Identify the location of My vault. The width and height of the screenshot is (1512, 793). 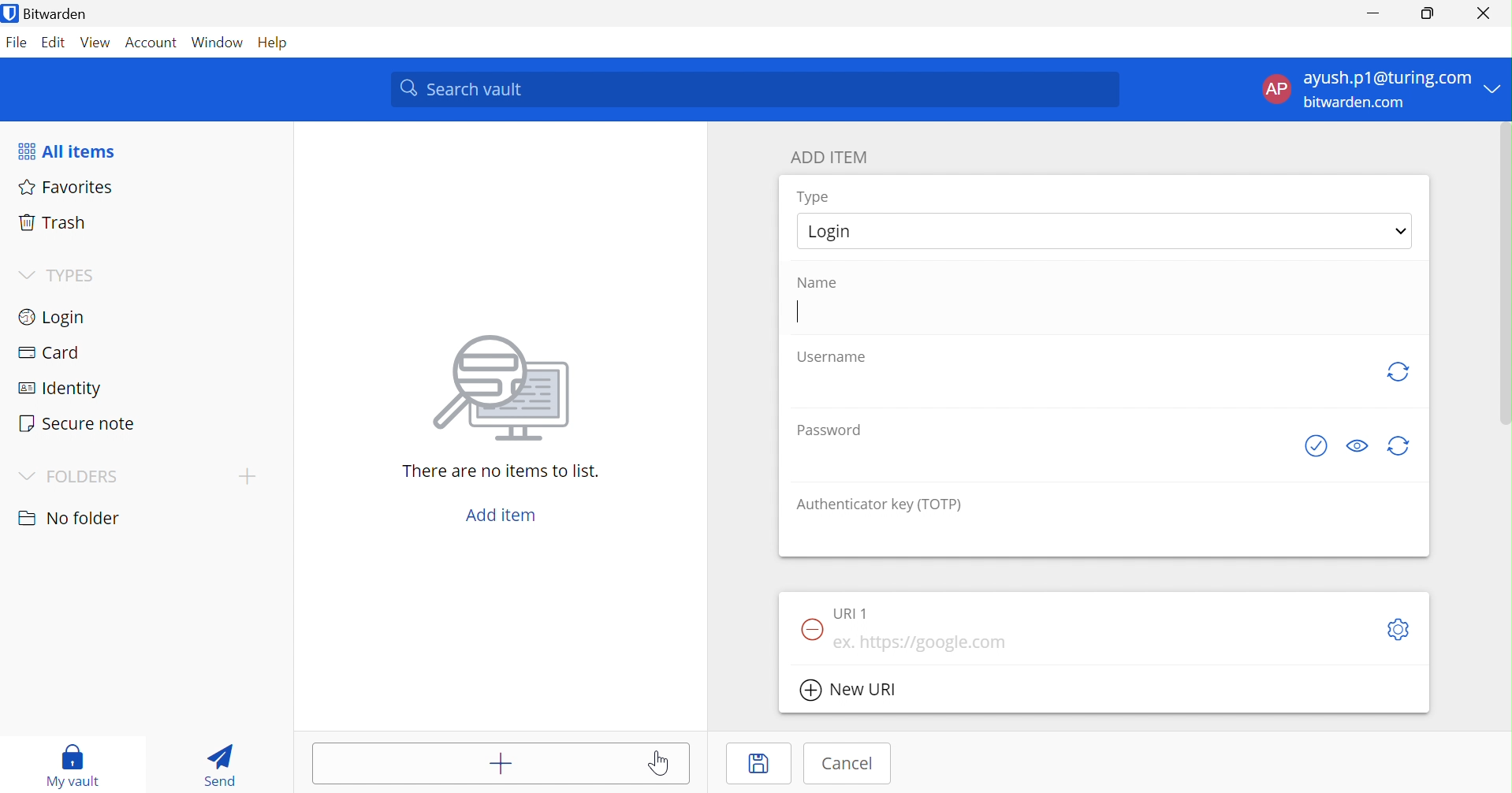
(77, 766).